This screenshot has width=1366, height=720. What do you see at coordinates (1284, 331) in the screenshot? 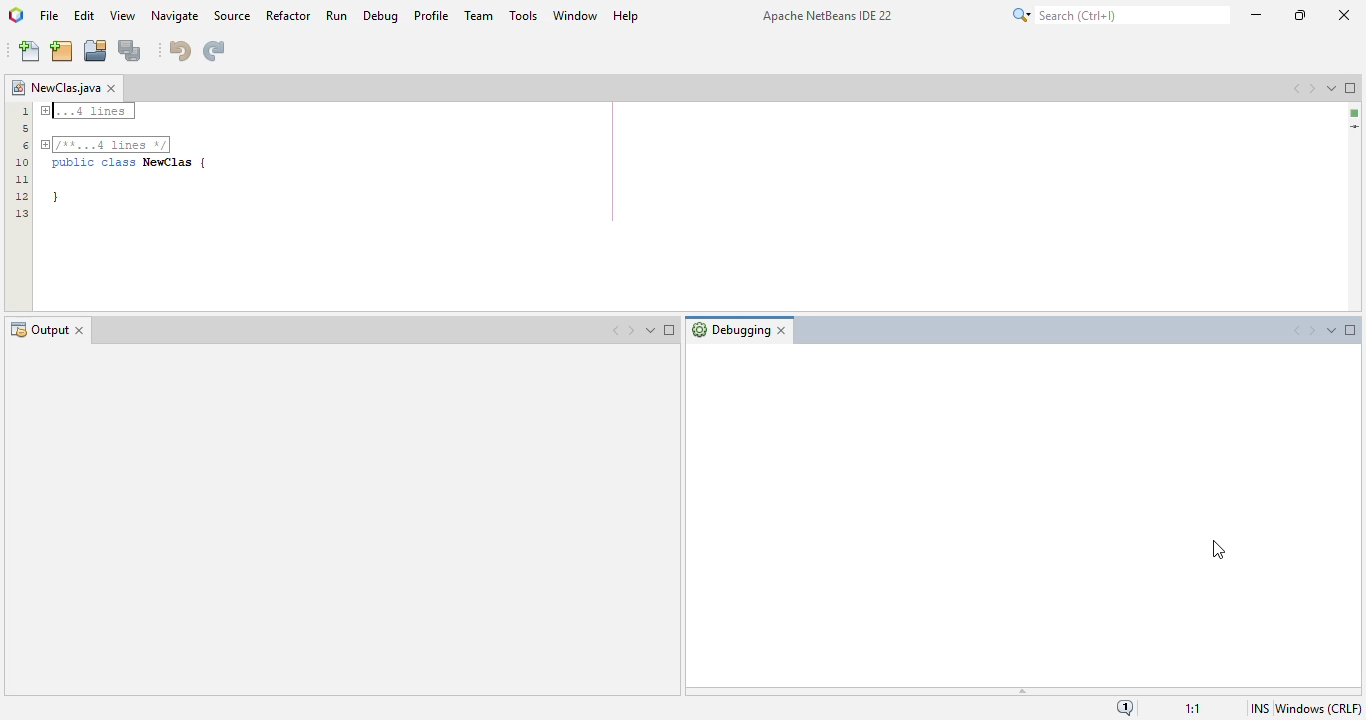
I see `Previous` at bounding box center [1284, 331].